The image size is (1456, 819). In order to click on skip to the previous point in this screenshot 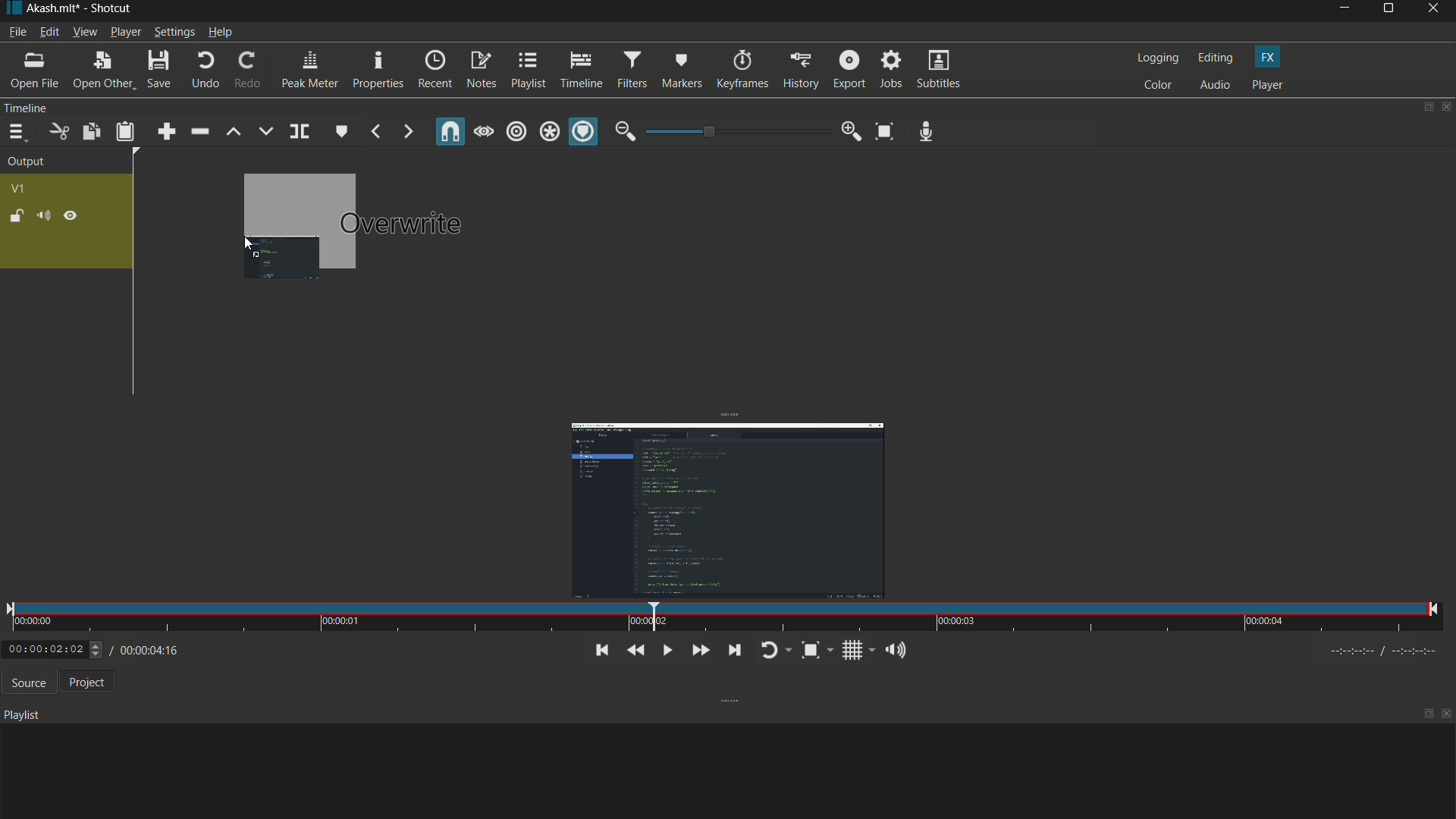, I will do `click(600, 651)`.